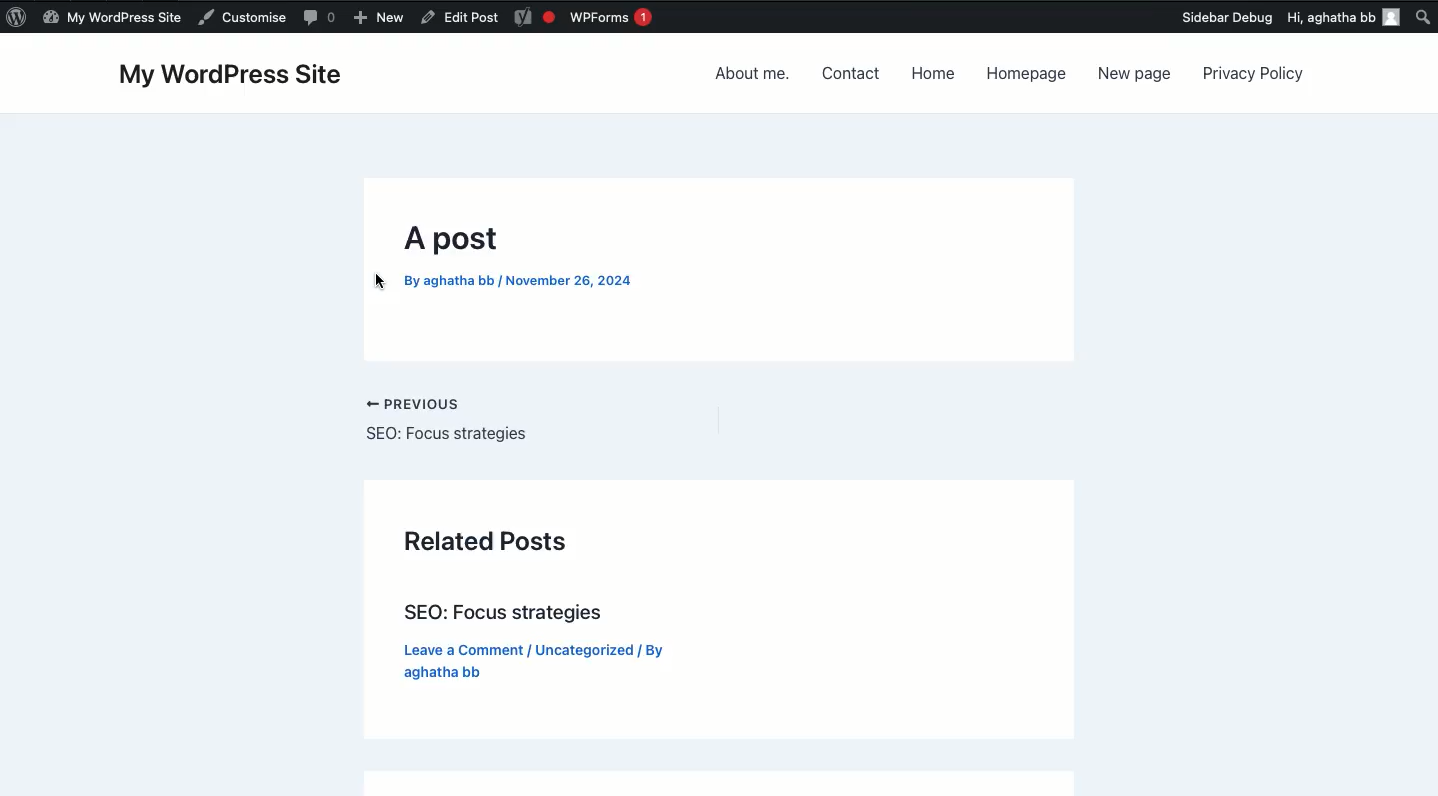 The width and height of the screenshot is (1438, 796). What do you see at coordinates (239, 18) in the screenshot?
I see `Comment` at bounding box center [239, 18].